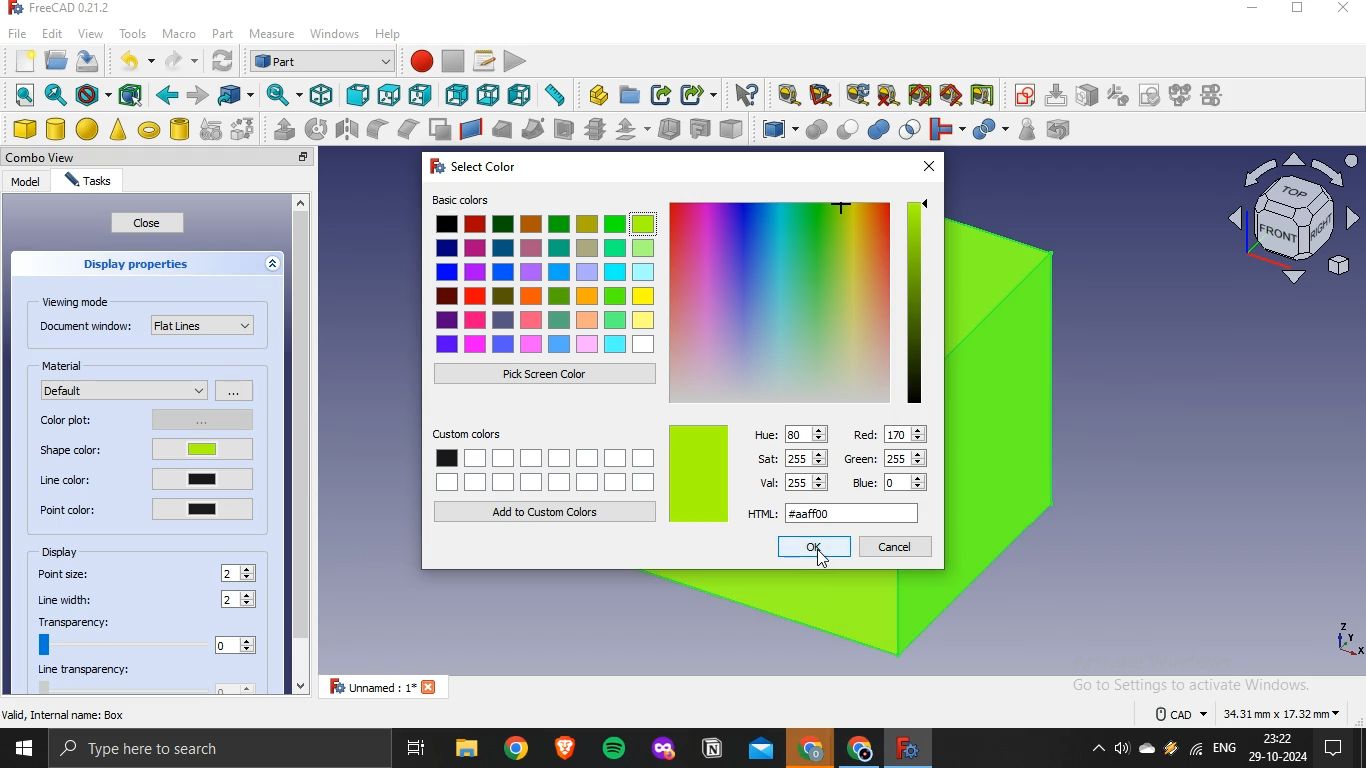 Image resolution: width=1366 pixels, height=768 pixels. I want to click on create primitive, so click(211, 129).